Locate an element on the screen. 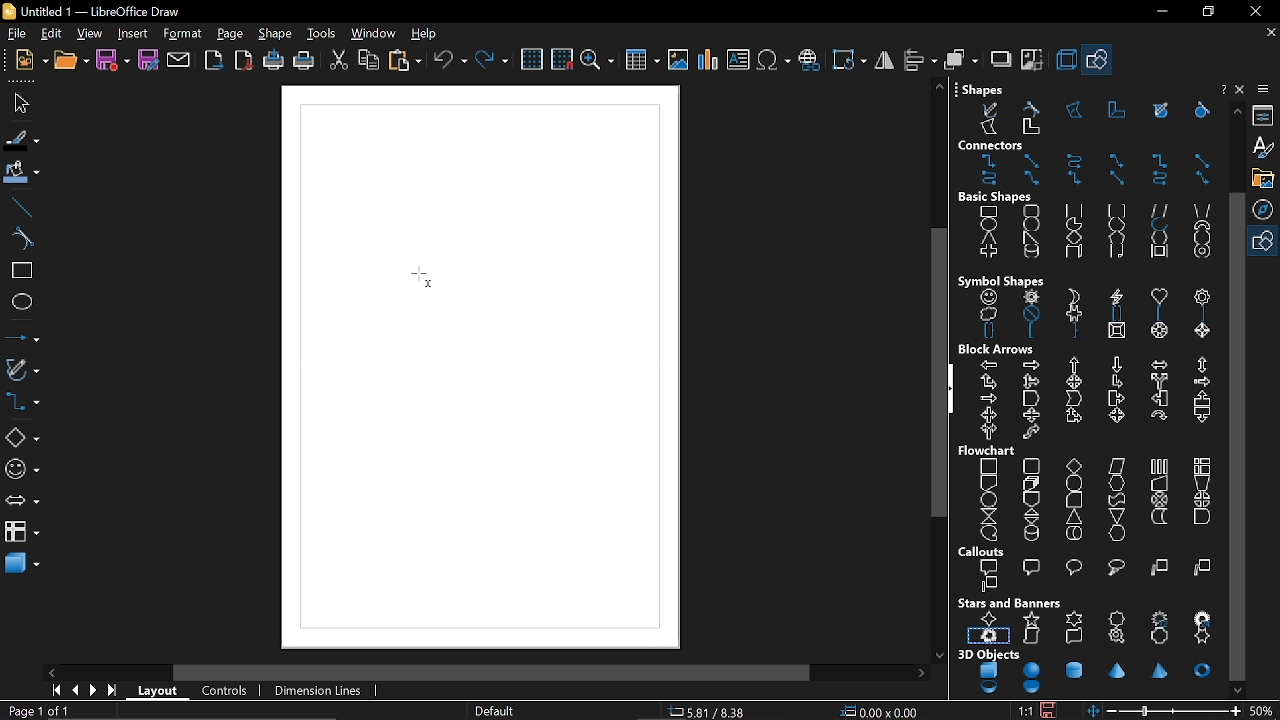  shape is located at coordinates (277, 35).